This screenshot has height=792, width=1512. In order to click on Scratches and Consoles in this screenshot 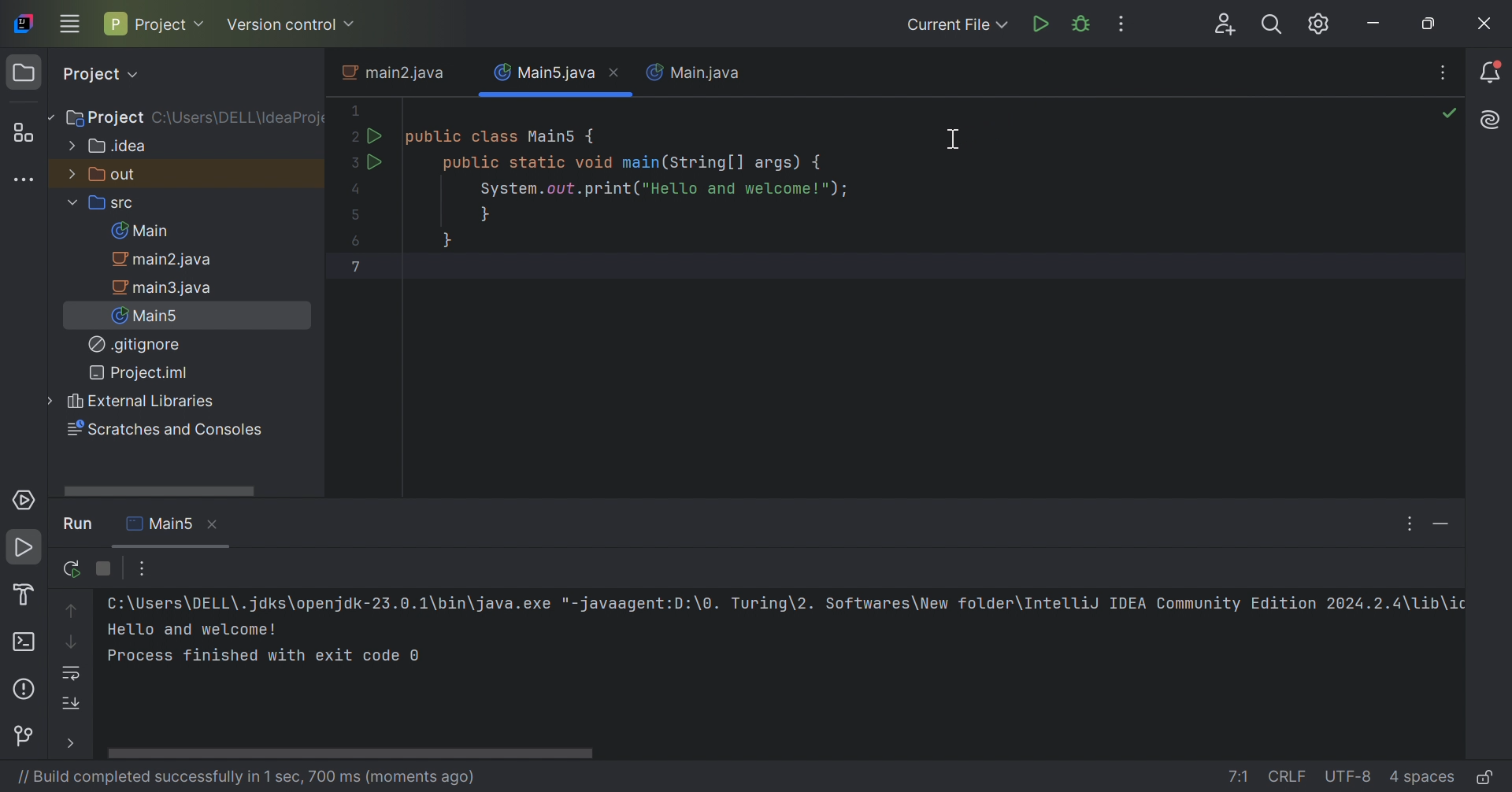, I will do `click(168, 431)`.